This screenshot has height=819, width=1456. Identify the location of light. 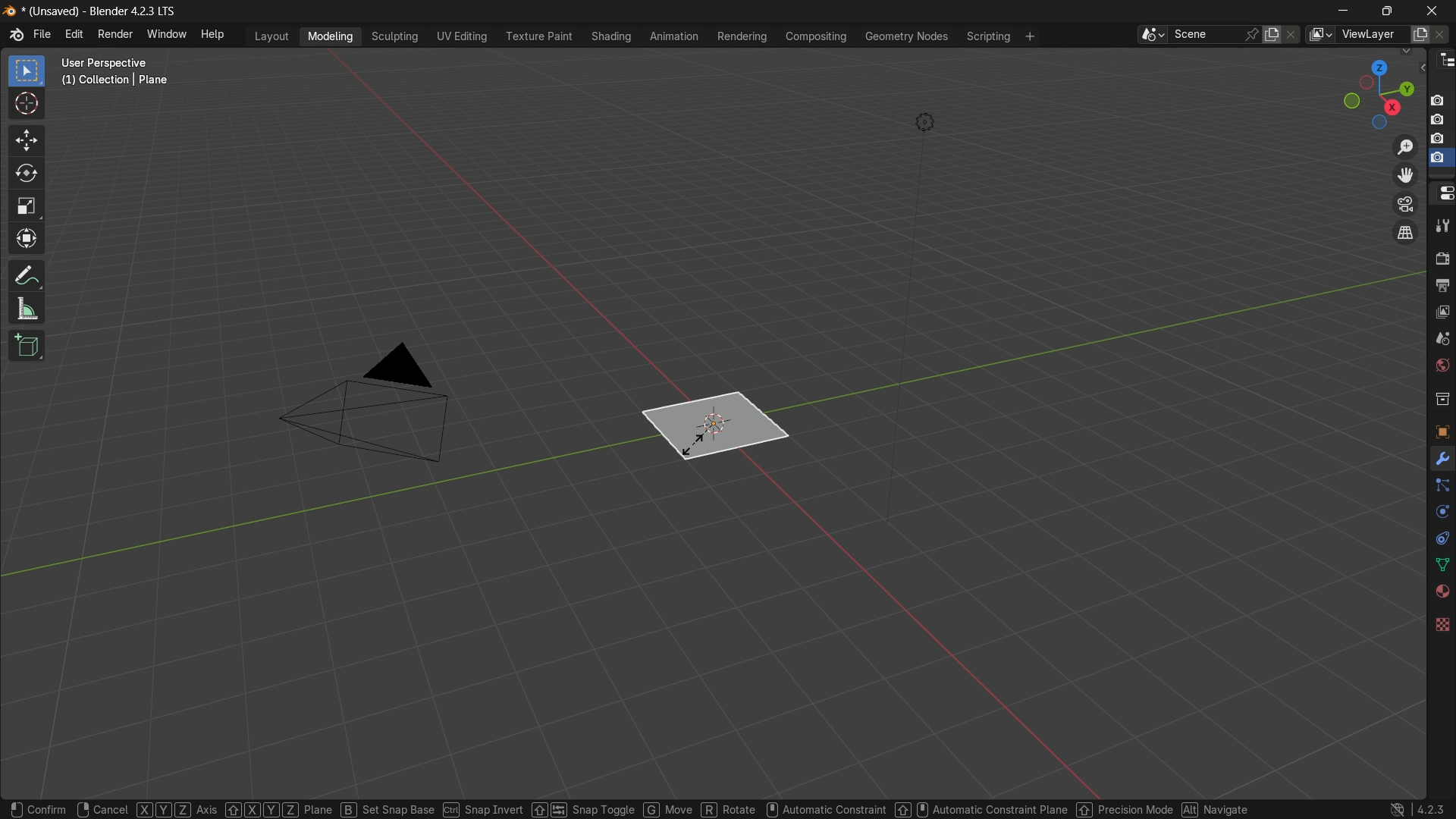
(924, 121).